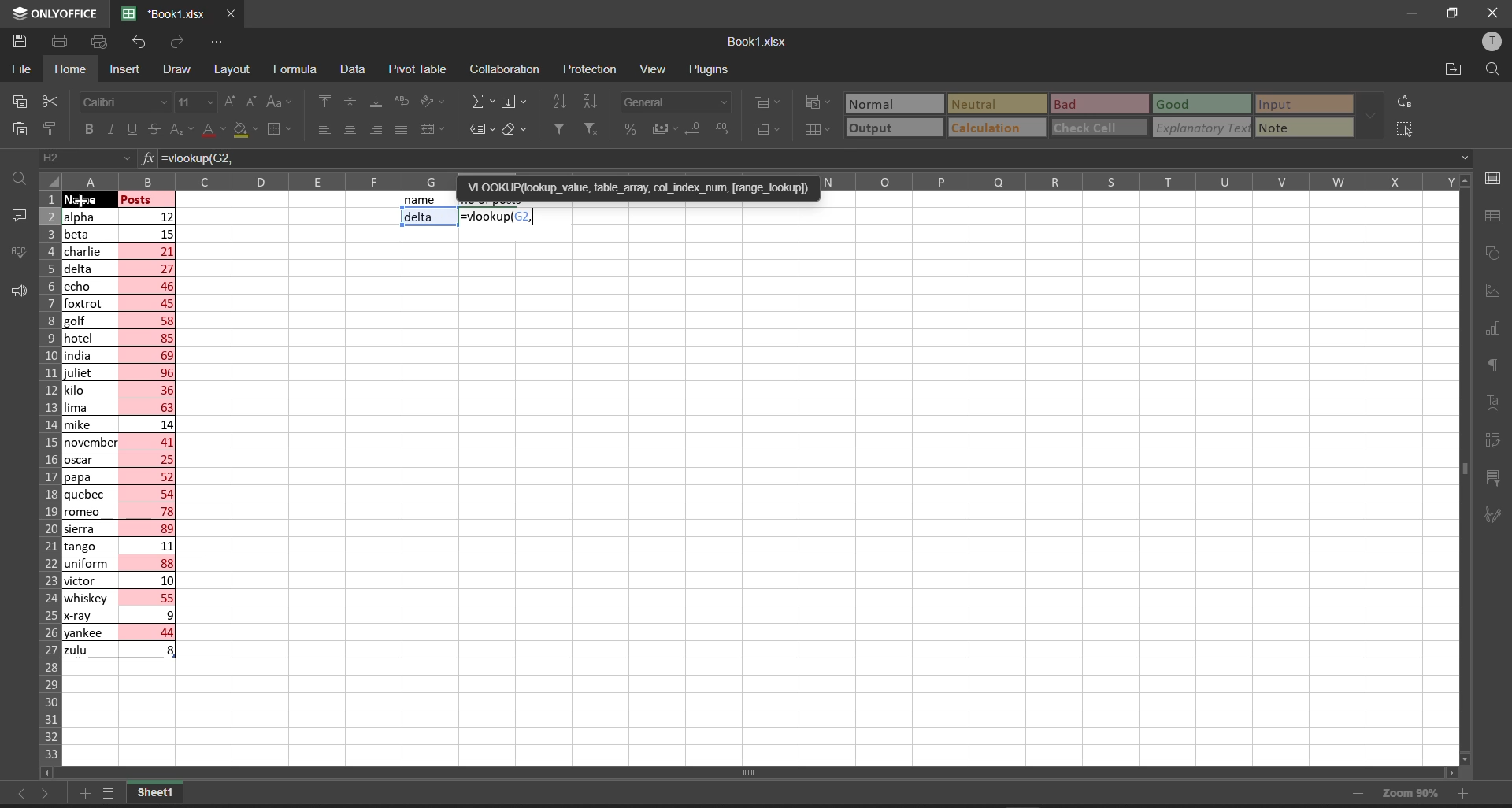 This screenshot has width=1512, height=808. What do you see at coordinates (176, 45) in the screenshot?
I see `redo` at bounding box center [176, 45].